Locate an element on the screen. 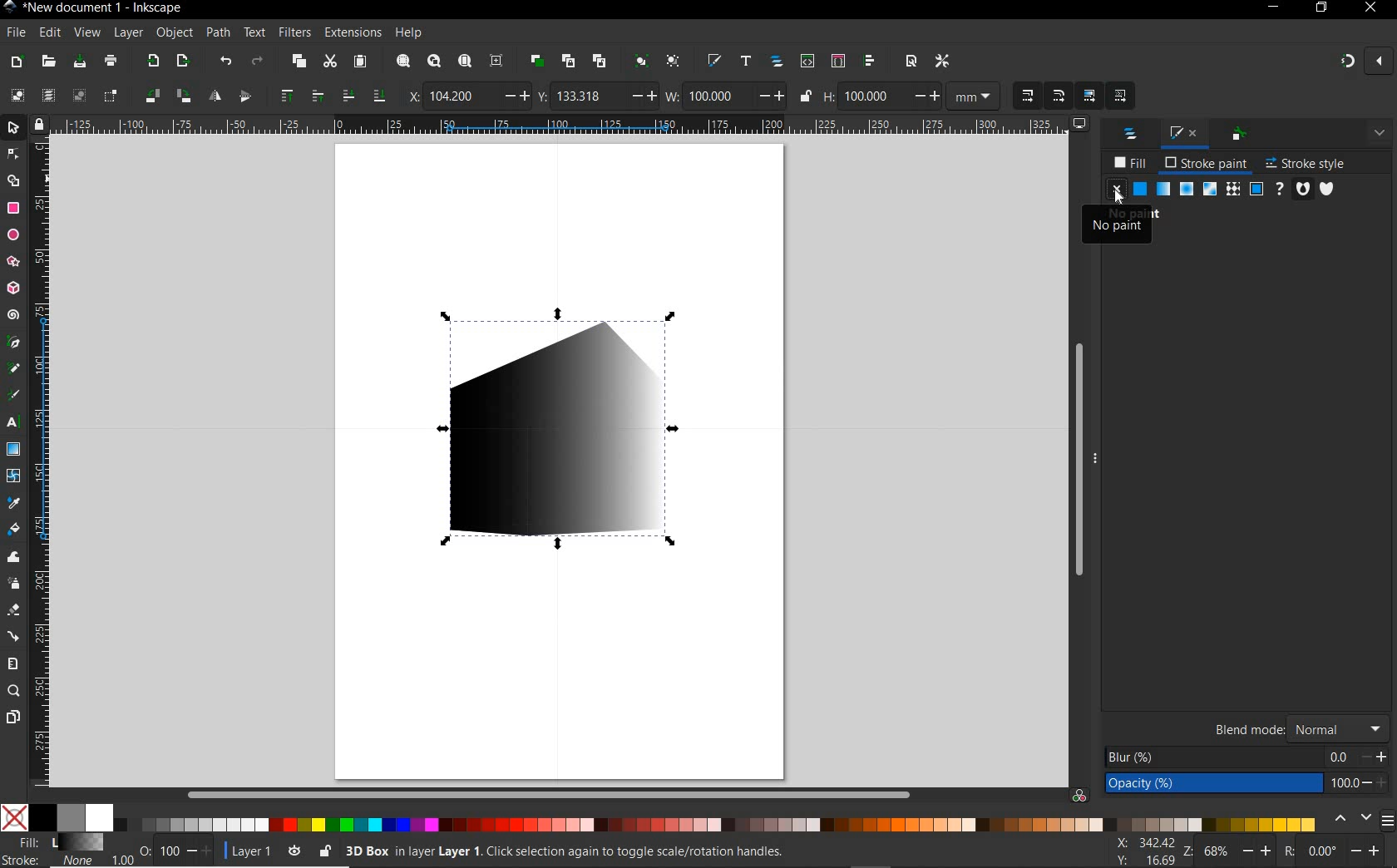 The height and width of the screenshot is (868, 1397). OBJECT ROTATE is located at coordinates (151, 95).